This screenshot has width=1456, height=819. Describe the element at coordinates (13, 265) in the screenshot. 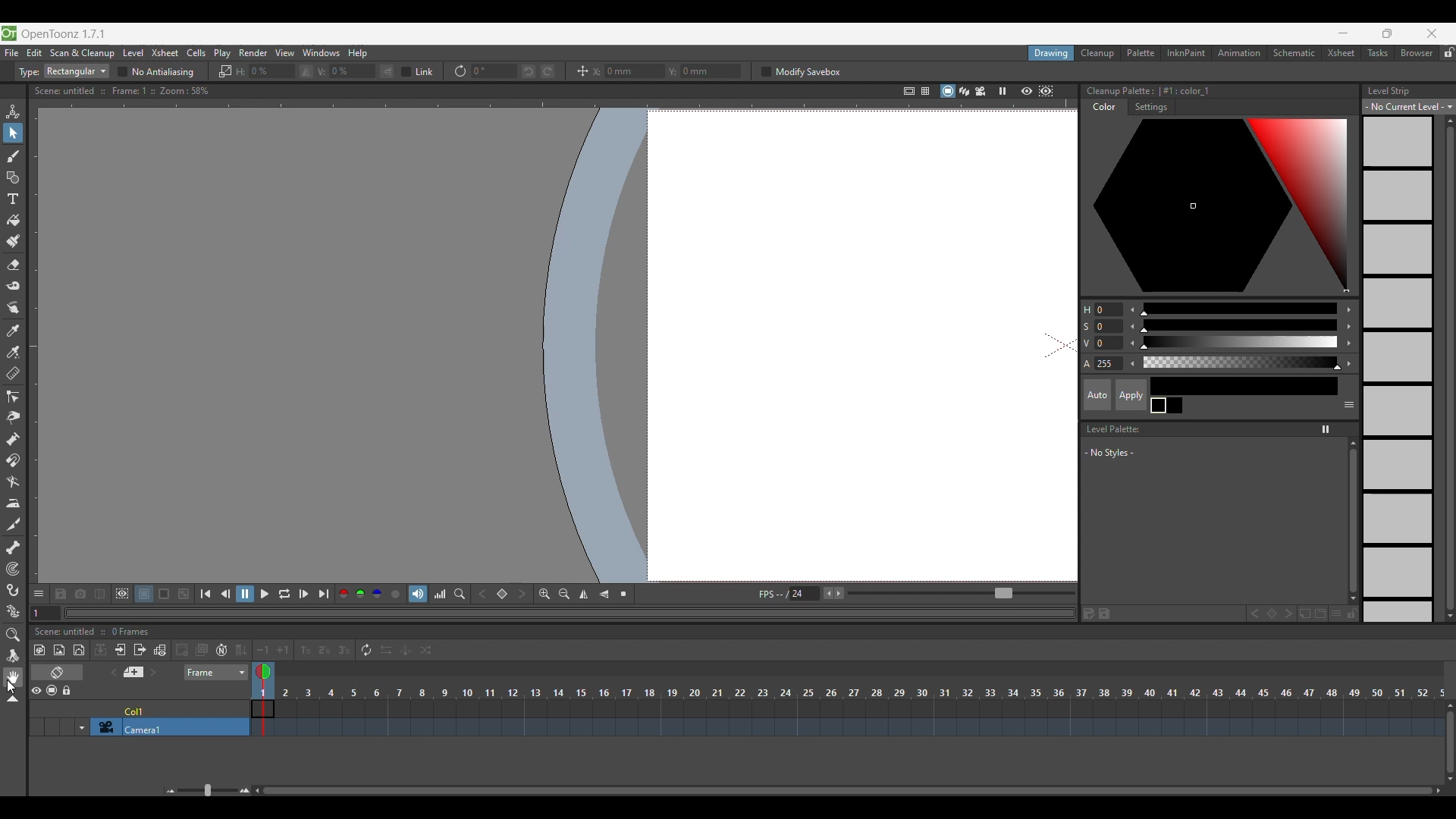

I see `Eraser tool` at that location.